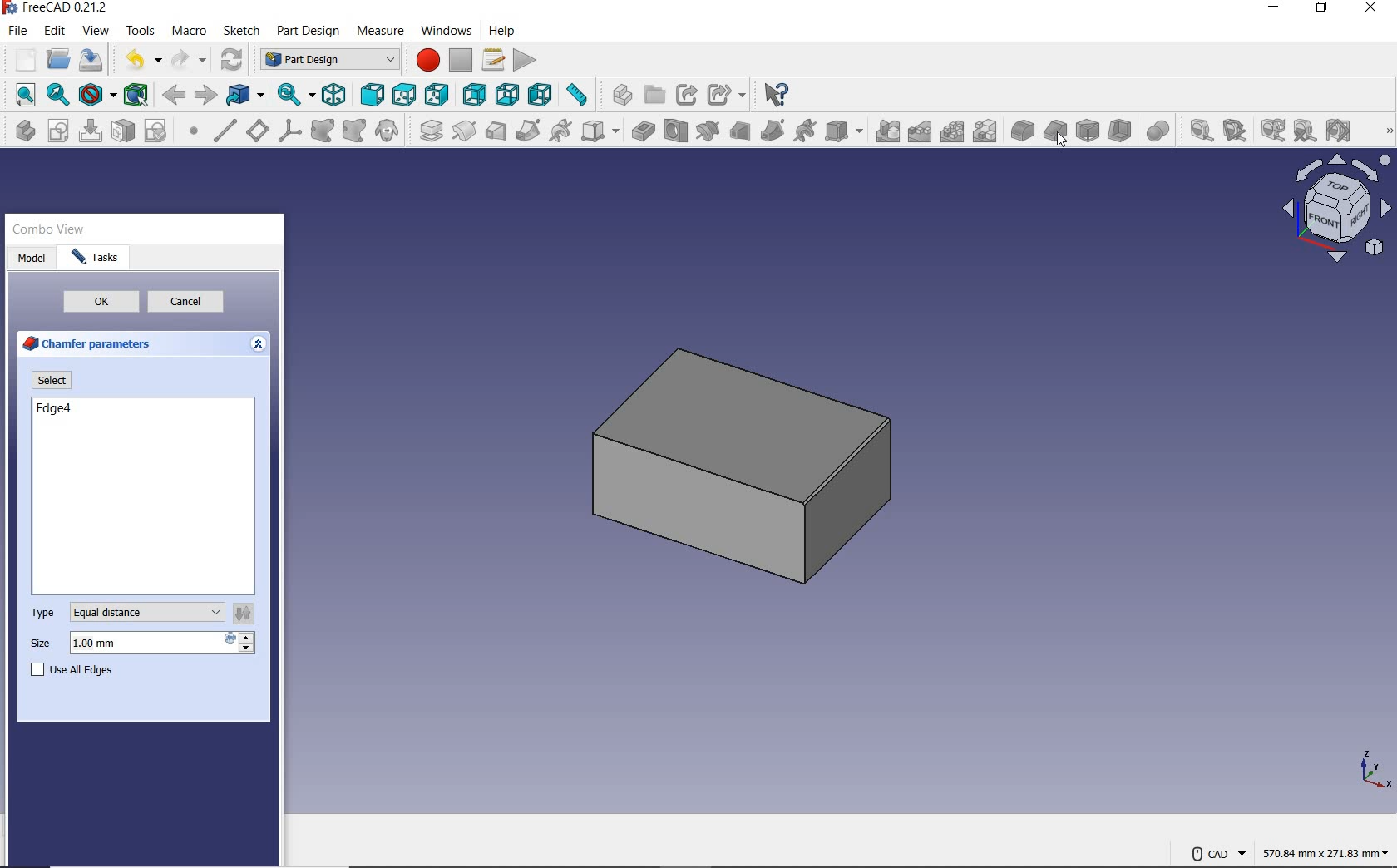 This screenshot has width=1397, height=868. What do you see at coordinates (95, 257) in the screenshot?
I see `tasks` at bounding box center [95, 257].